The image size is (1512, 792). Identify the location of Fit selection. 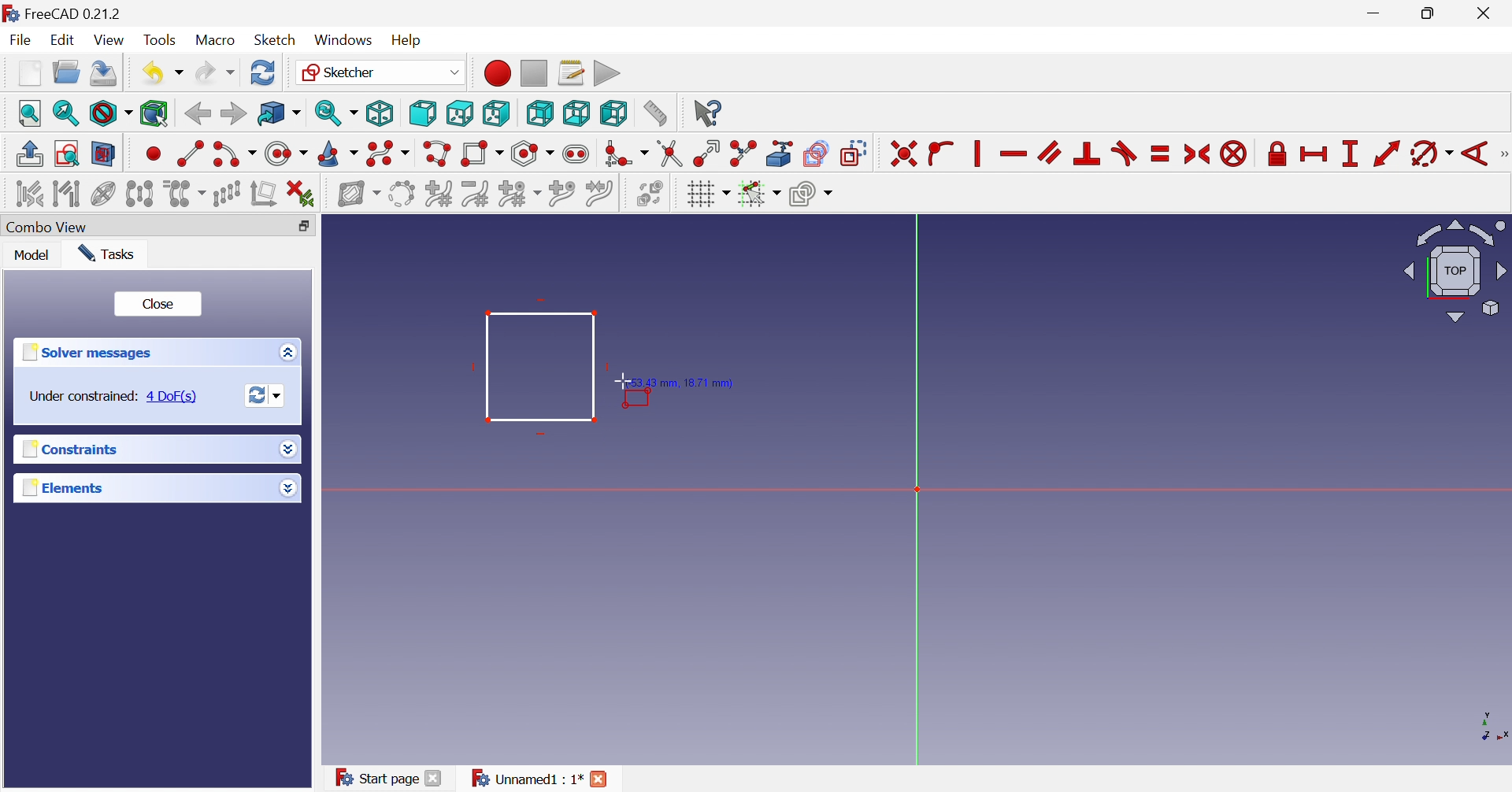
(64, 113).